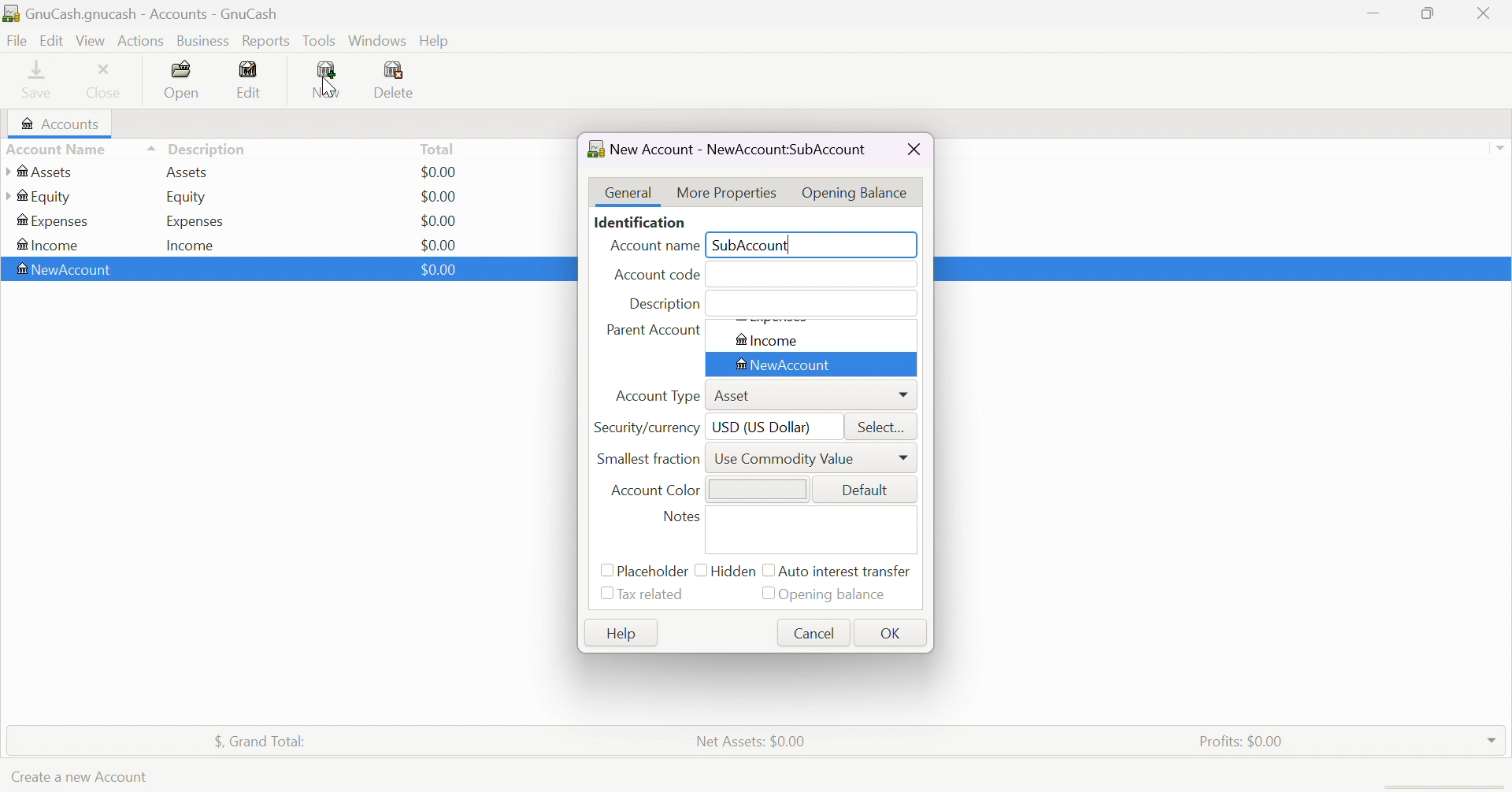 The width and height of the screenshot is (1512, 792). What do you see at coordinates (192, 246) in the screenshot?
I see `Income` at bounding box center [192, 246].